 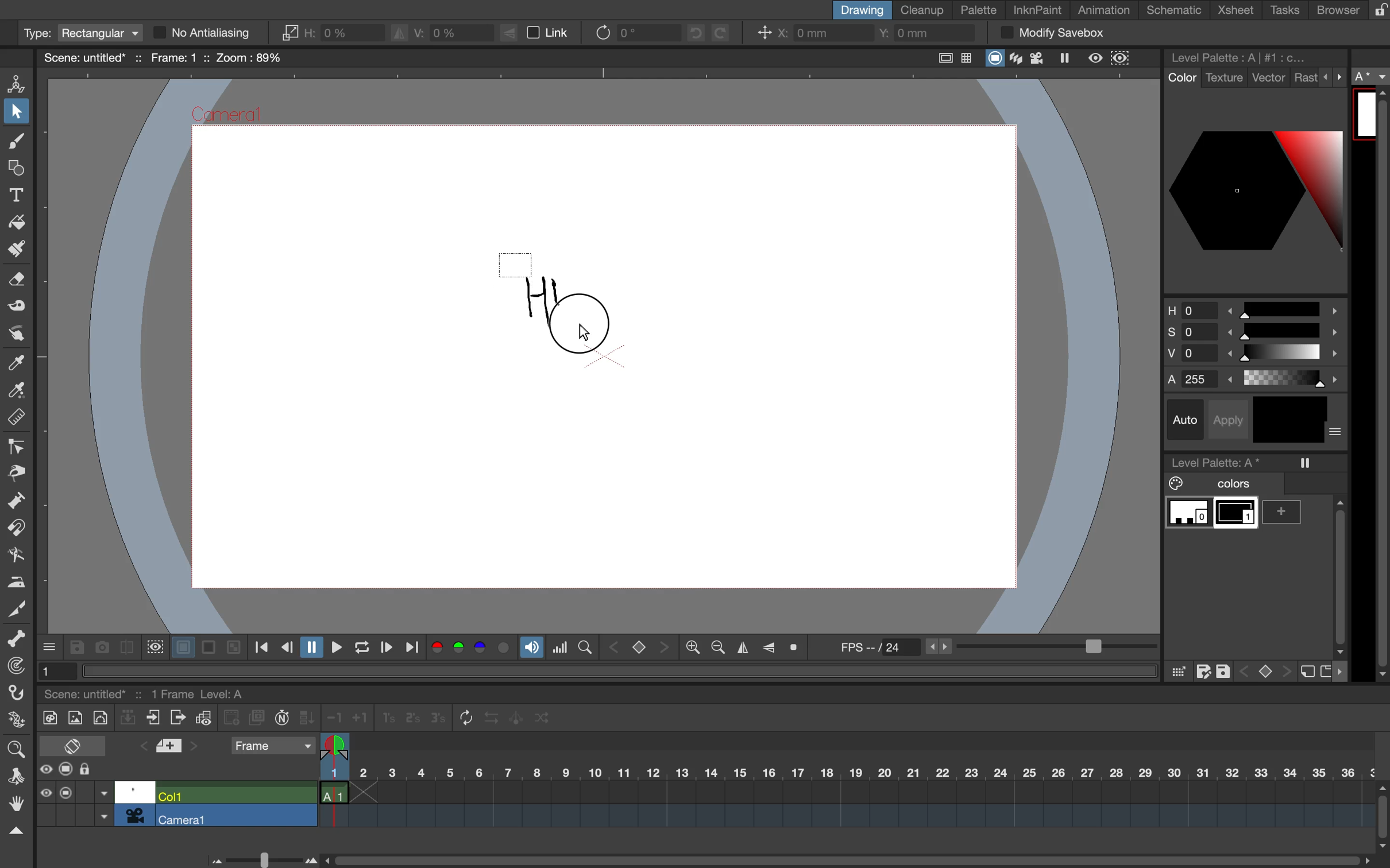 What do you see at coordinates (1372, 77) in the screenshot?
I see `a` at bounding box center [1372, 77].